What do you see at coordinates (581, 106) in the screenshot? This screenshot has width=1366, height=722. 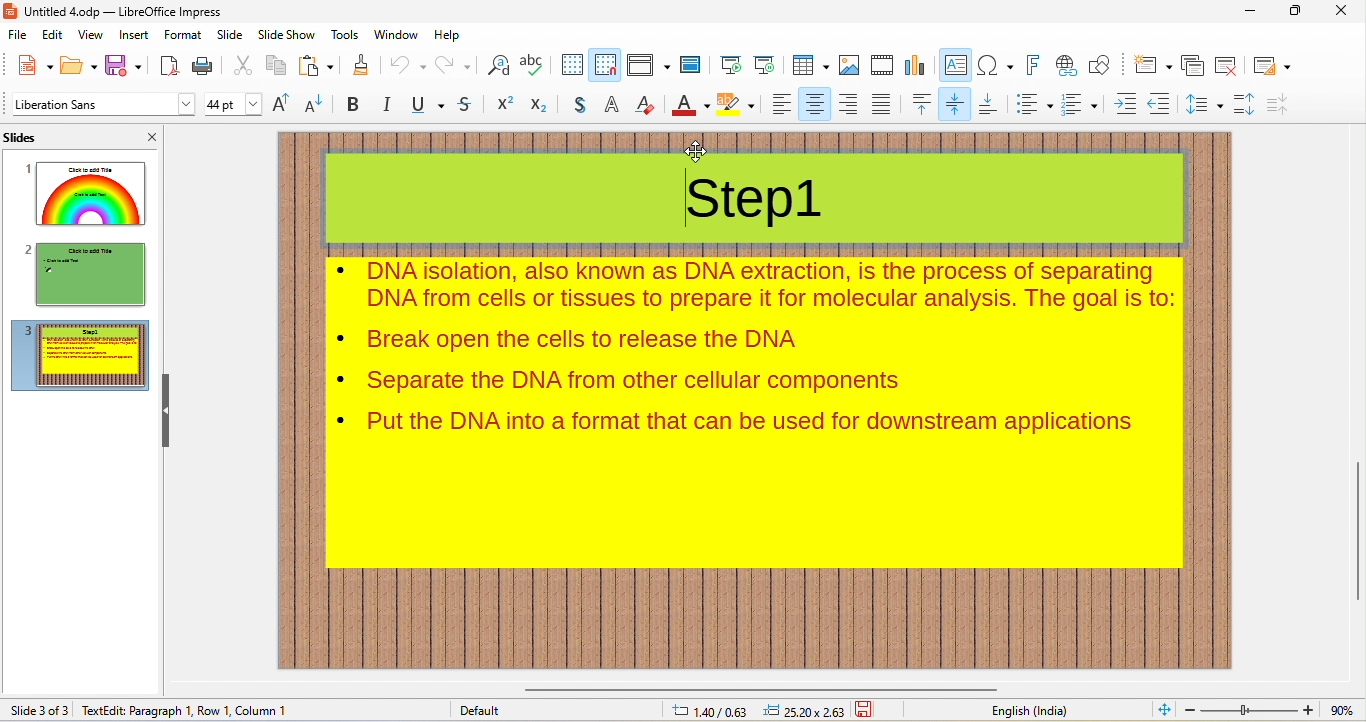 I see `shadow` at bounding box center [581, 106].